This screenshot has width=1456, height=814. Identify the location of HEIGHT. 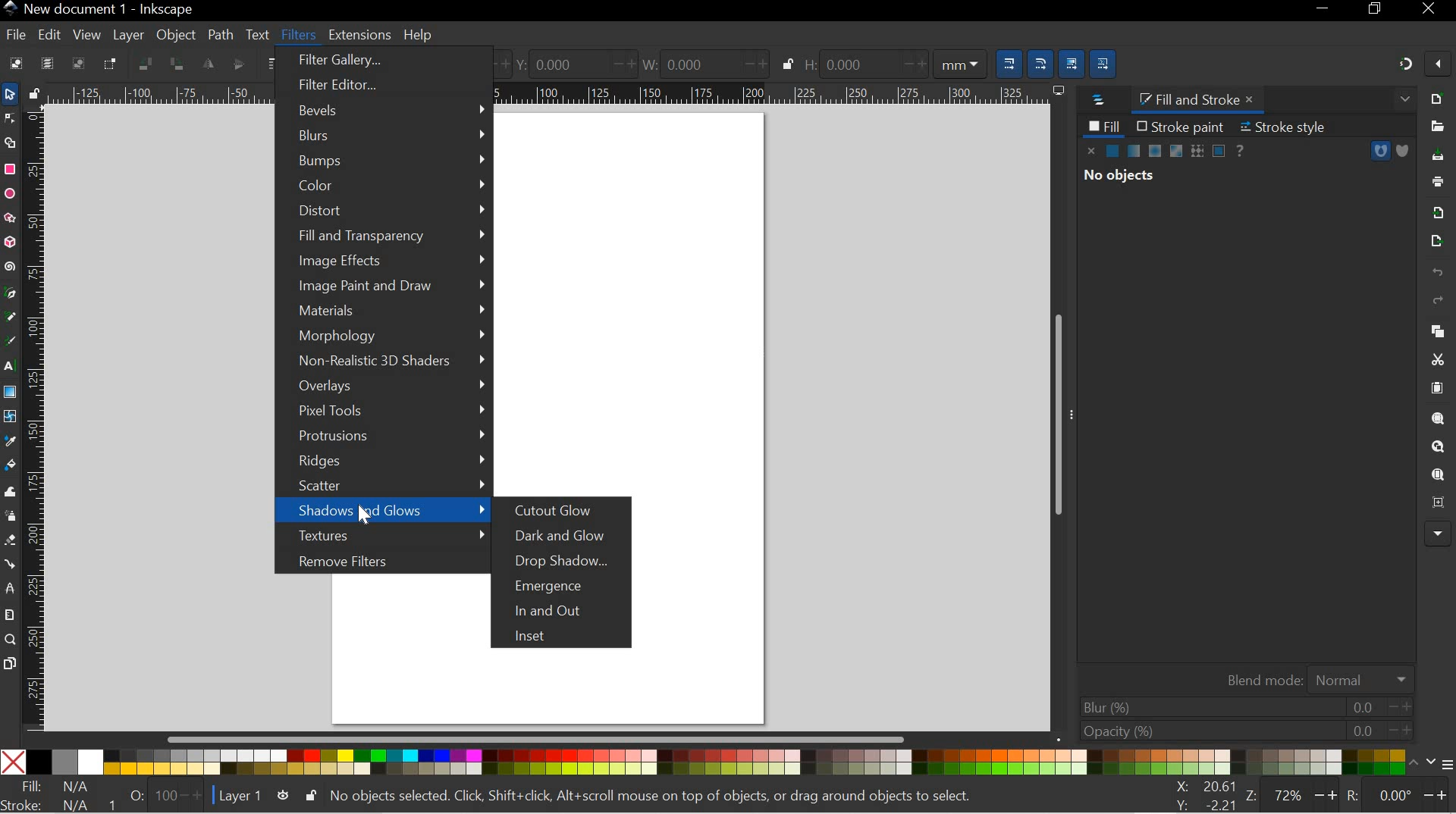
(893, 62).